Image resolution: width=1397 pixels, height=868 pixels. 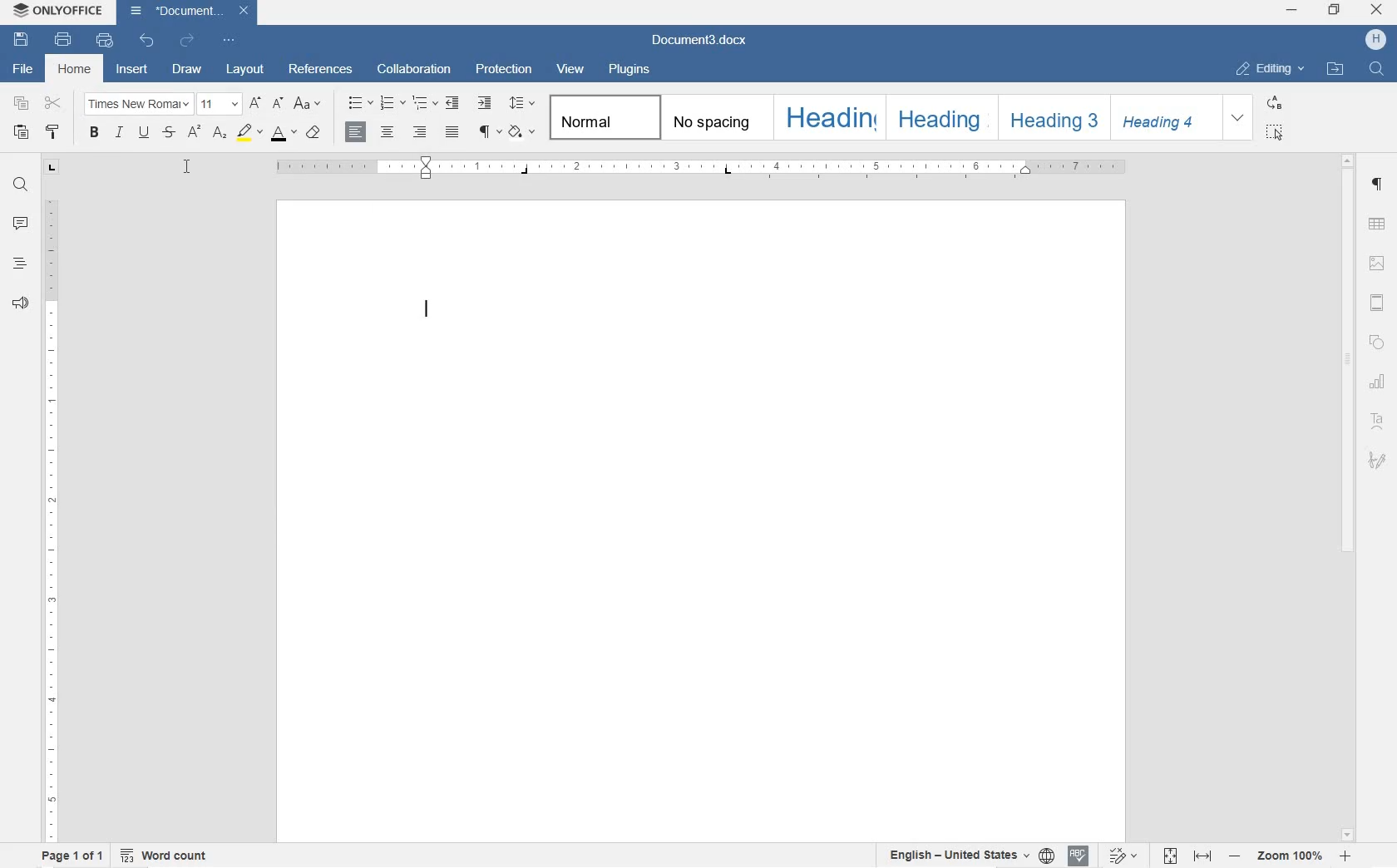 What do you see at coordinates (74, 858) in the screenshot?
I see `PAGE 1 OF 1` at bounding box center [74, 858].